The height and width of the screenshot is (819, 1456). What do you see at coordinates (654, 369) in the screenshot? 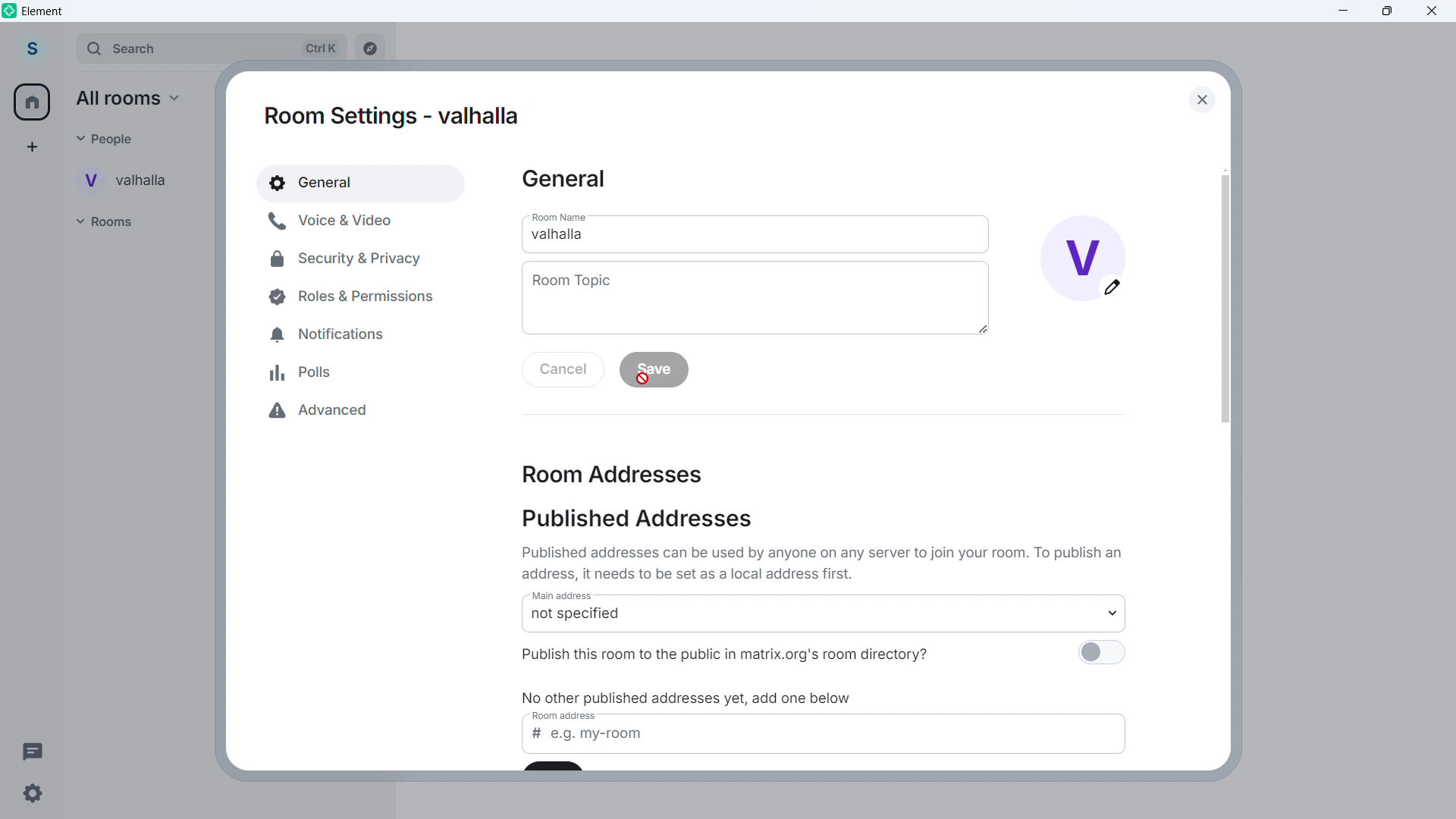
I see `save ` at bounding box center [654, 369].